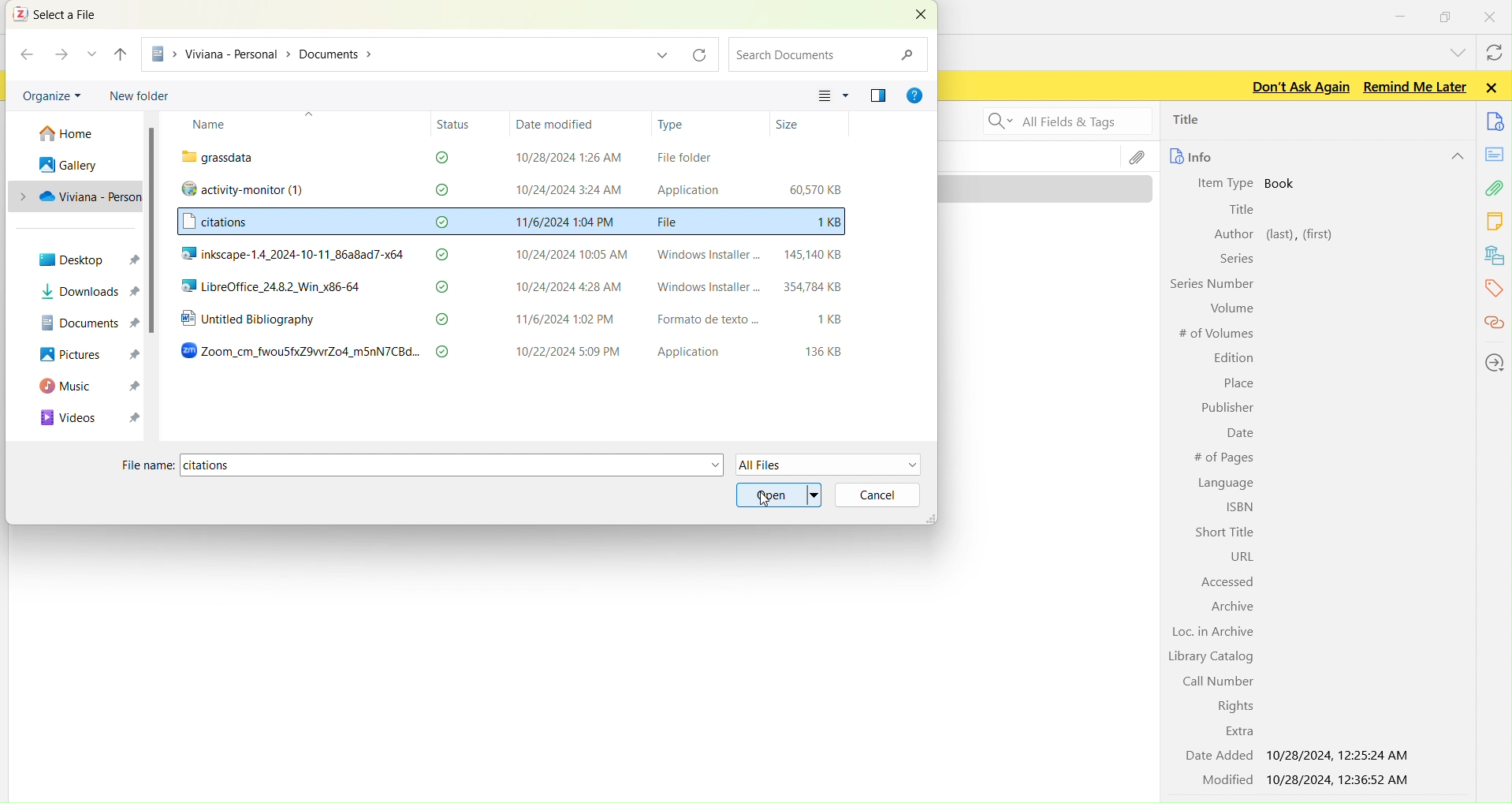 This screenshot has width=1512, height=803. What do you see at coordinates (1220, 680) in the screenshot?
I see `Call Number` at bounding box center [1220, 680].